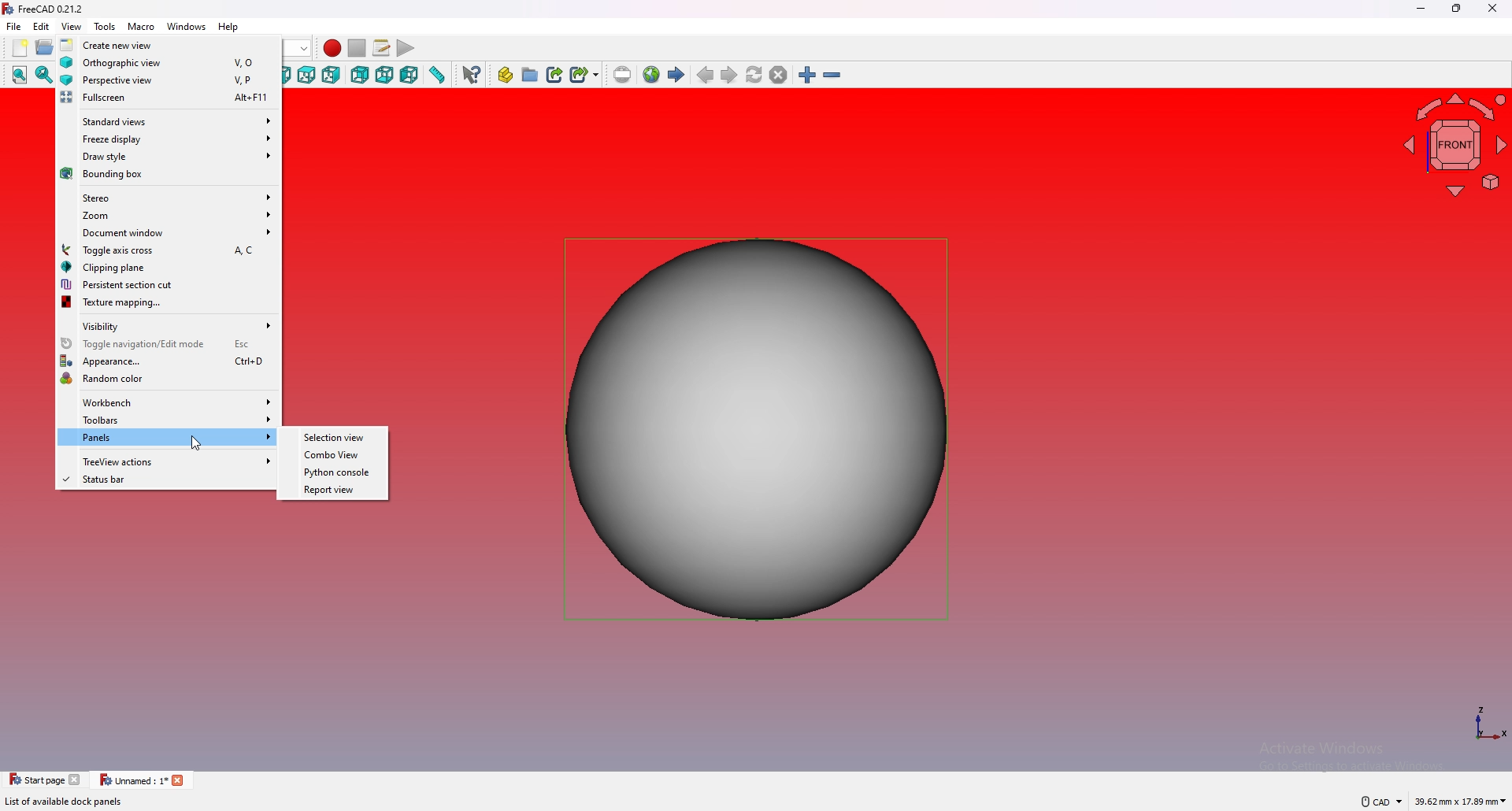 The width and height of the screenshot is (1512, 811). What do you see at coordinates (169, 44) in the screenshot?
I see `create new view` at bounding box center [169, 44].